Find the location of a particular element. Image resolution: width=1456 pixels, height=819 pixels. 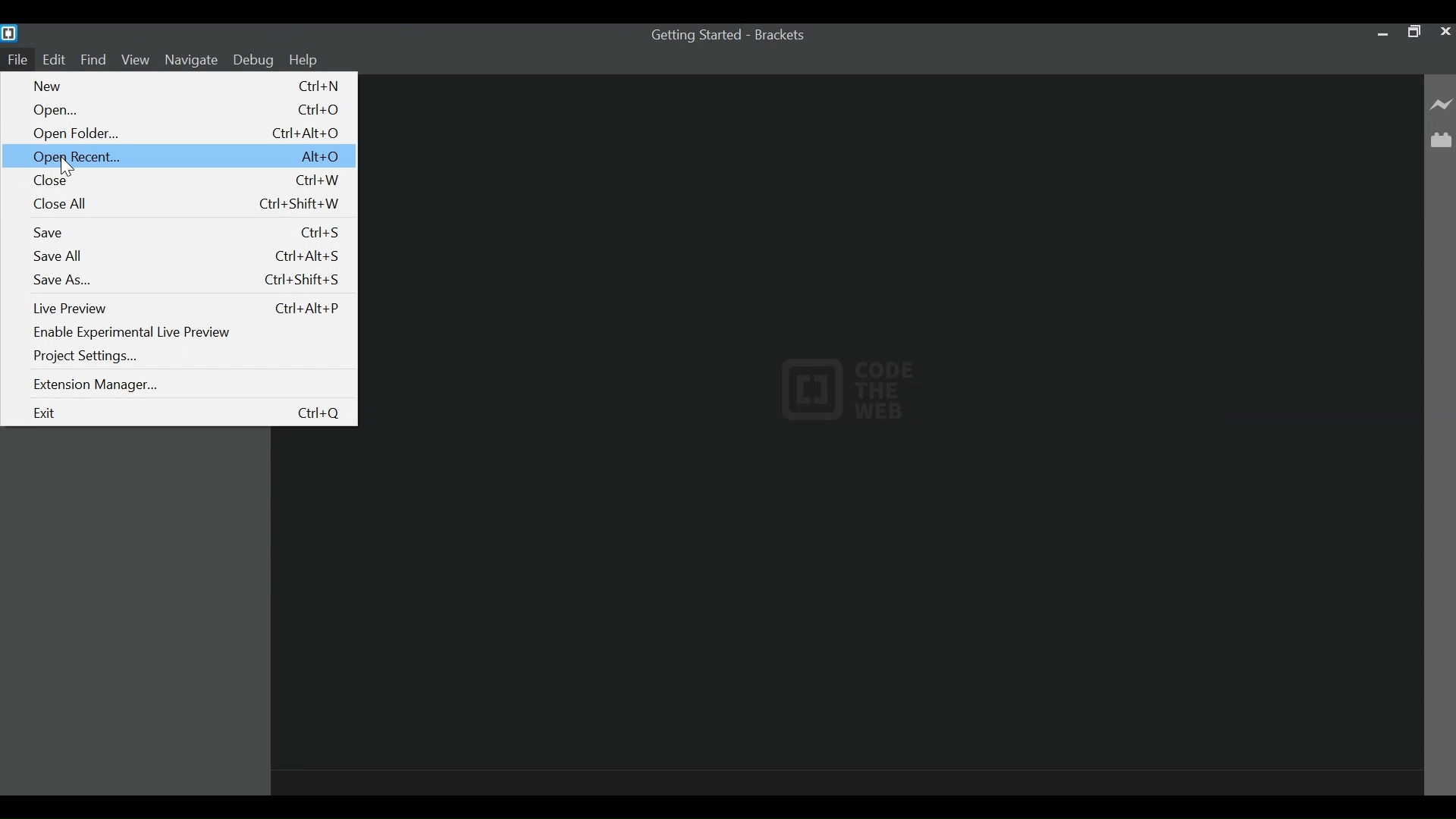

Bracket Desktop Icon is located at coordinates (11, 33).